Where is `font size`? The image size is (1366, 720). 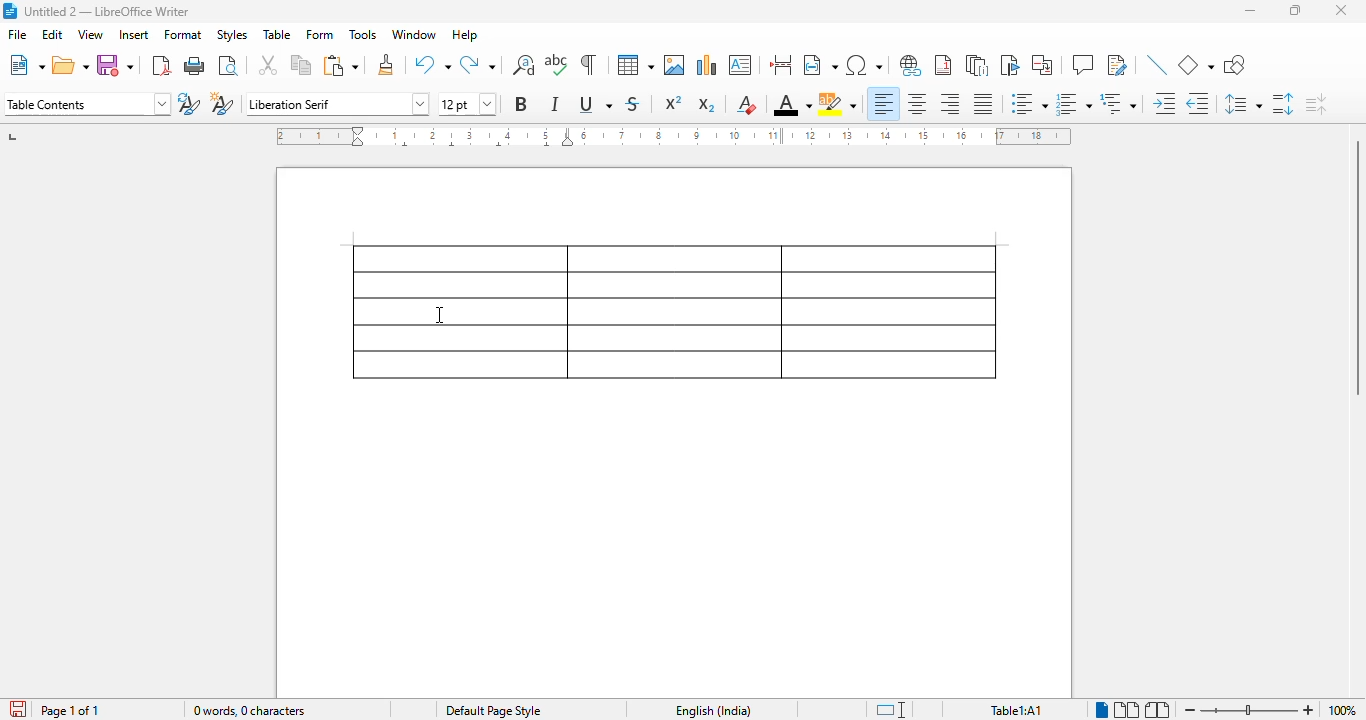
font size is located at coordinates (466, 104).